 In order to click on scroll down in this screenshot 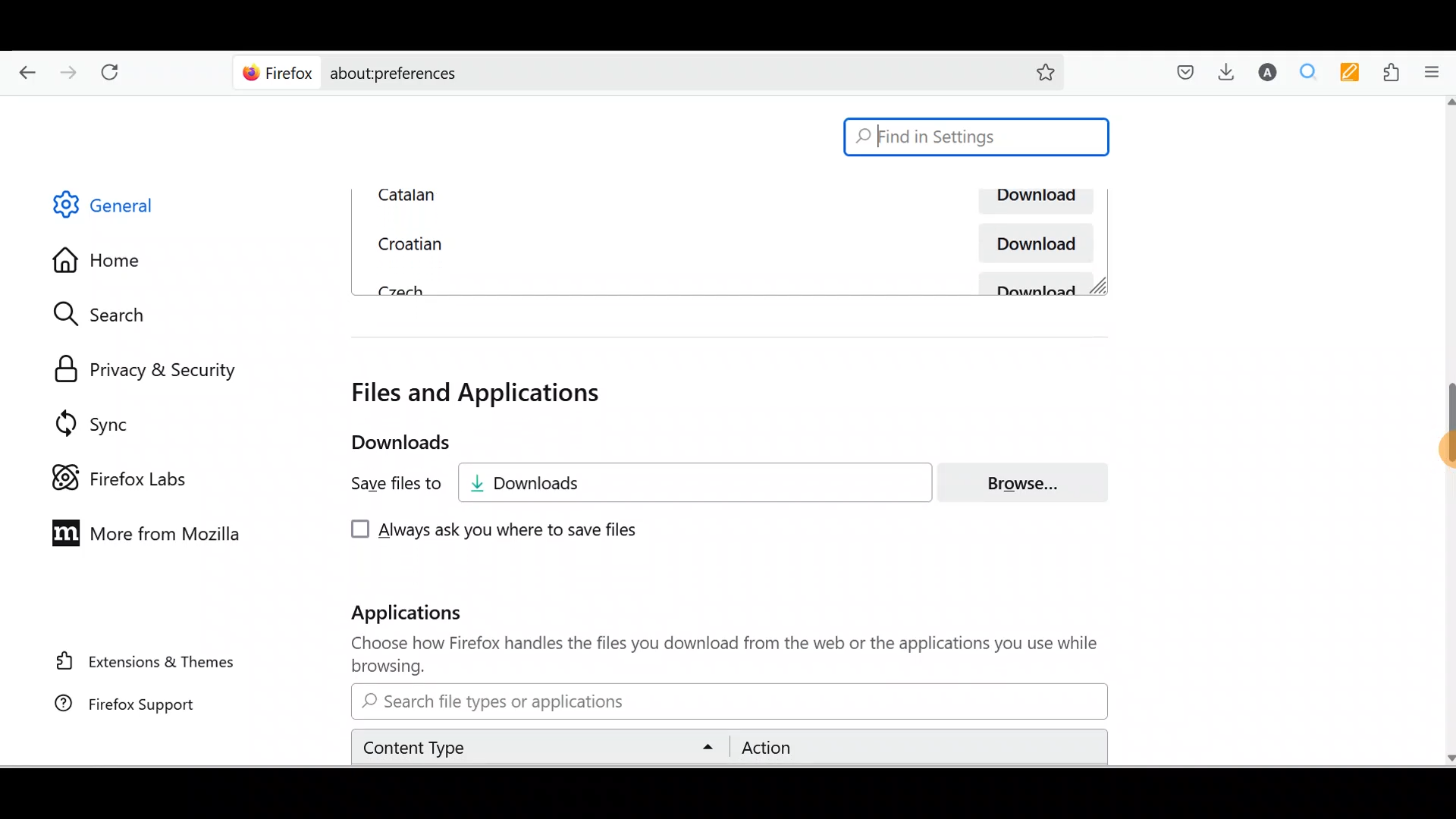, I will do `click(1447, 756)`.